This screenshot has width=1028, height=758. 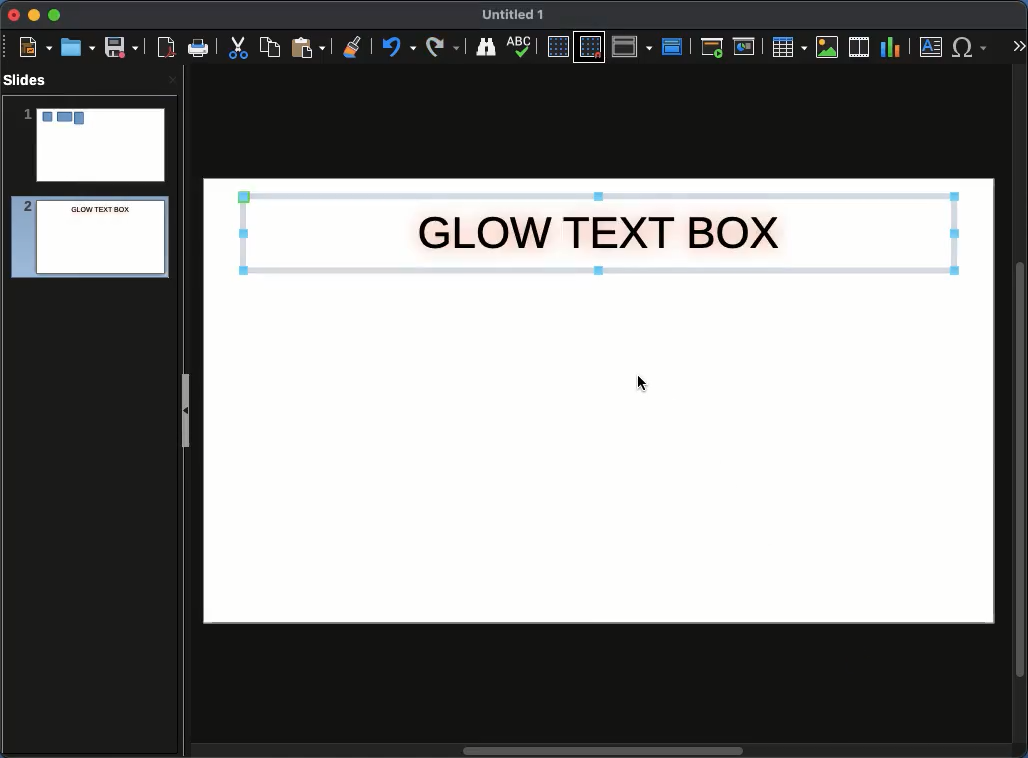 I want to click on Special characters, so click(x=974, y=47).